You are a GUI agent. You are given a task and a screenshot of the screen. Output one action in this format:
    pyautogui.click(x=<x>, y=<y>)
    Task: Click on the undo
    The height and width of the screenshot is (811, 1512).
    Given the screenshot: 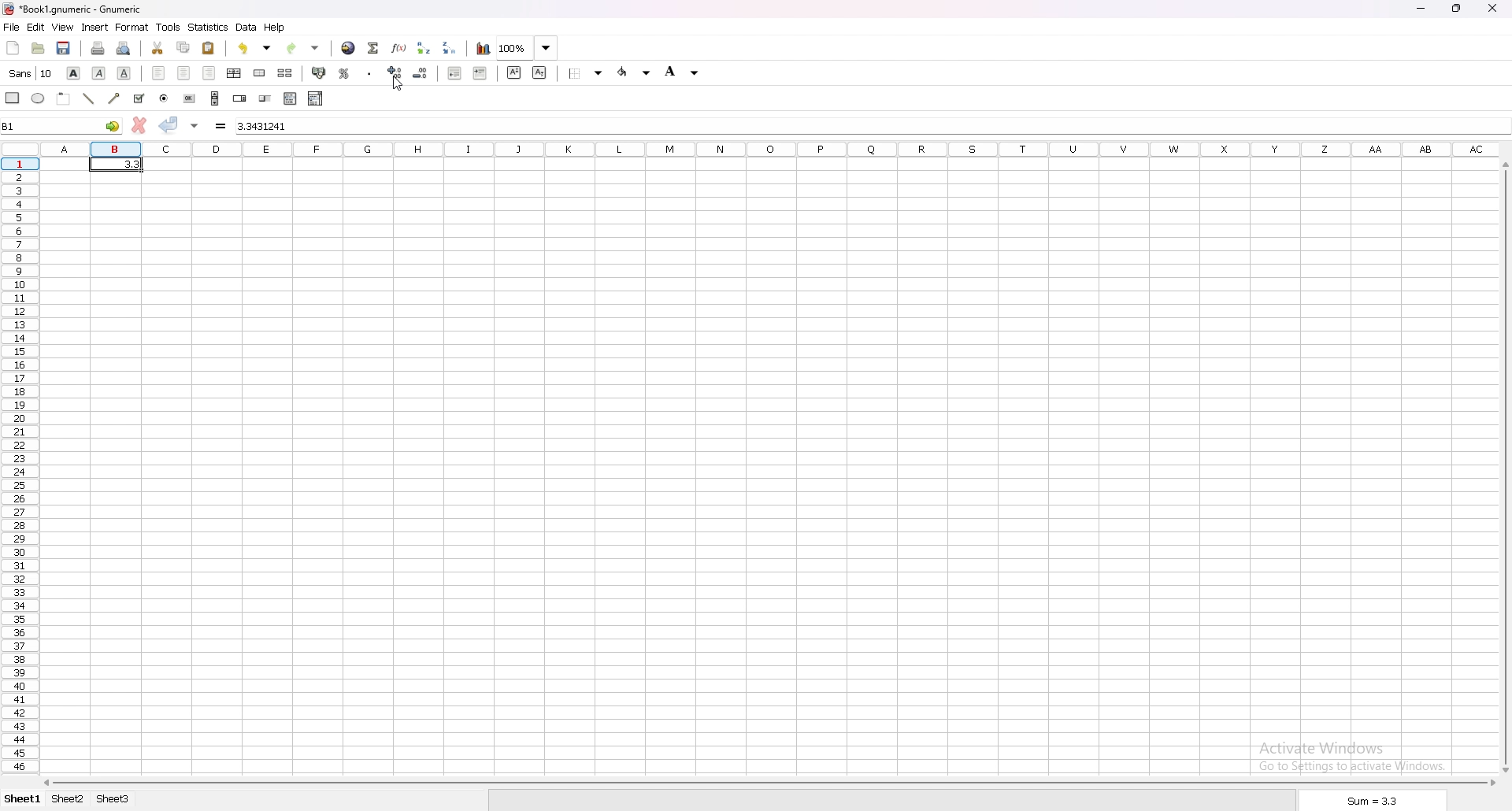 What is the action you would take?
    pyautogui.click(x=256, y=47)
    